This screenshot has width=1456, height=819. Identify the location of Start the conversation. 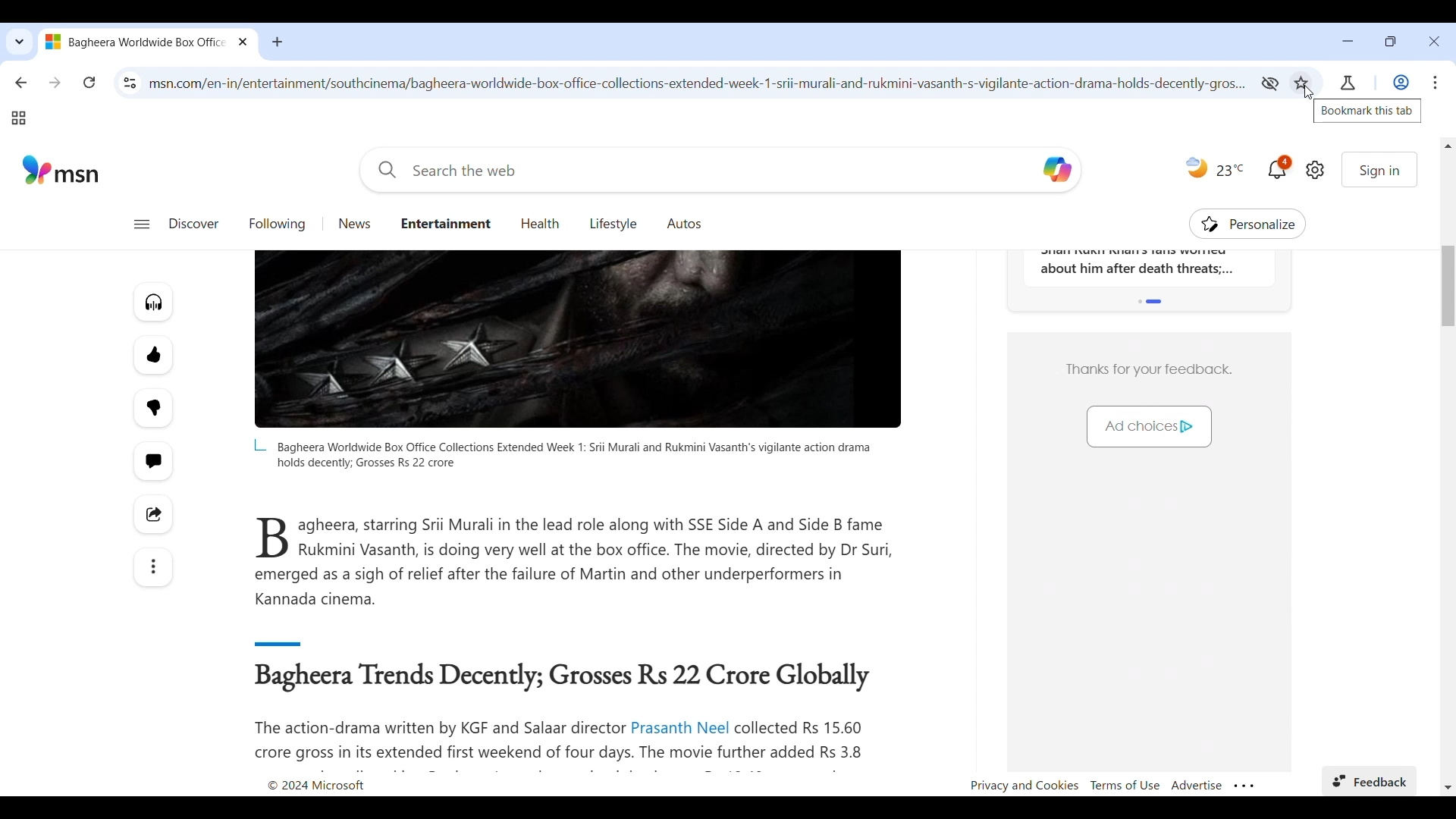
(152, 462).